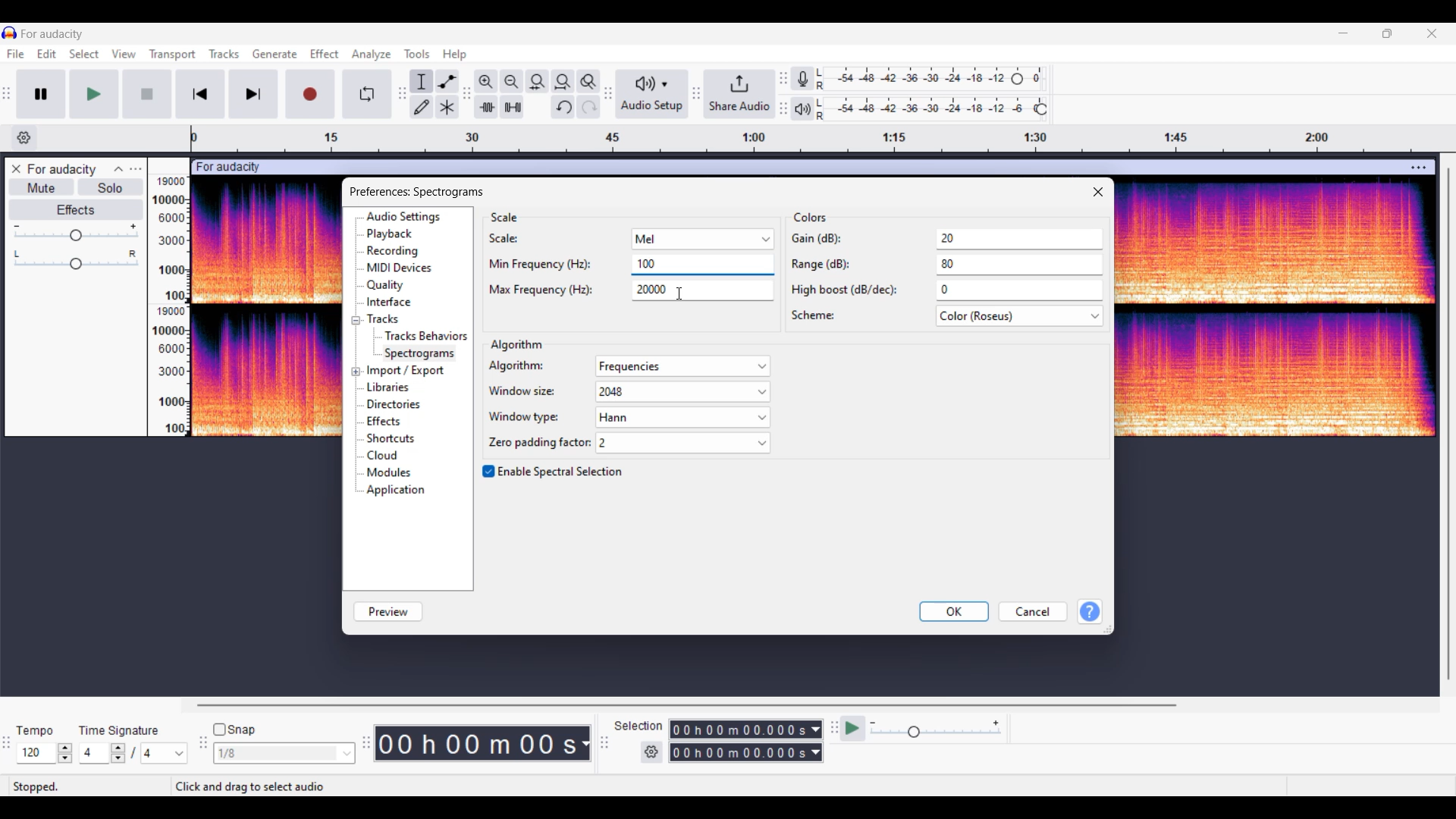 The width and height of the screenshot is (1456, 819). Describe the element at coordinates (1387, 33) in the screenshot. I see `Show in smaller tab` at that location.